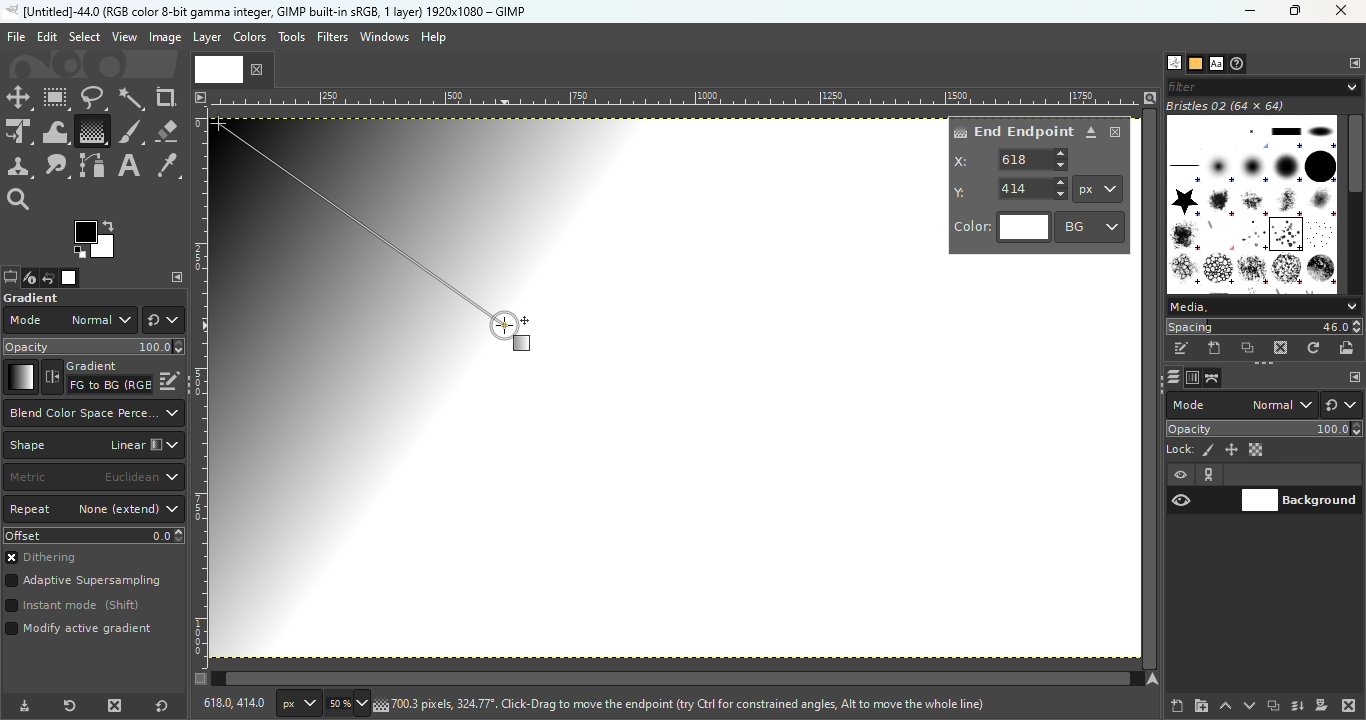 The height and width of the screenshot is (720, 1366). I want to click on Paths tool, so click(93, 166).